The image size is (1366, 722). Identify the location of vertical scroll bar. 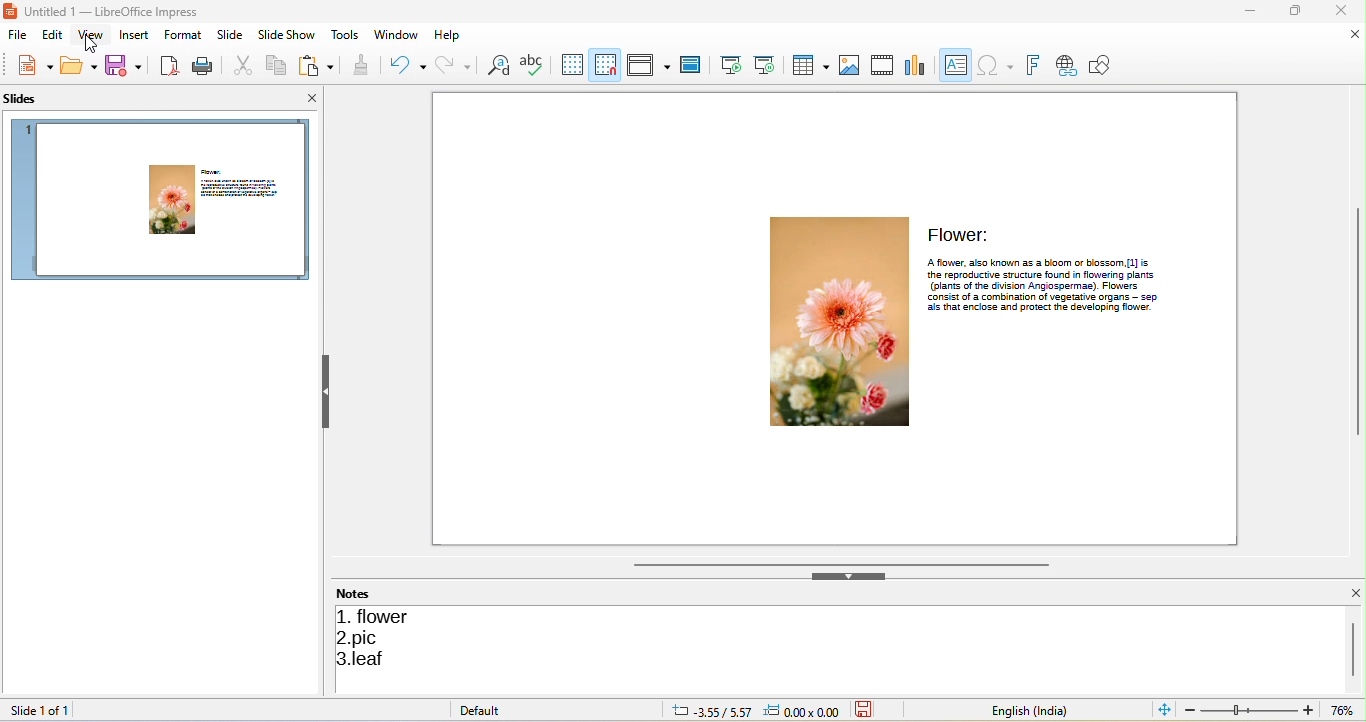
(1357, 320).